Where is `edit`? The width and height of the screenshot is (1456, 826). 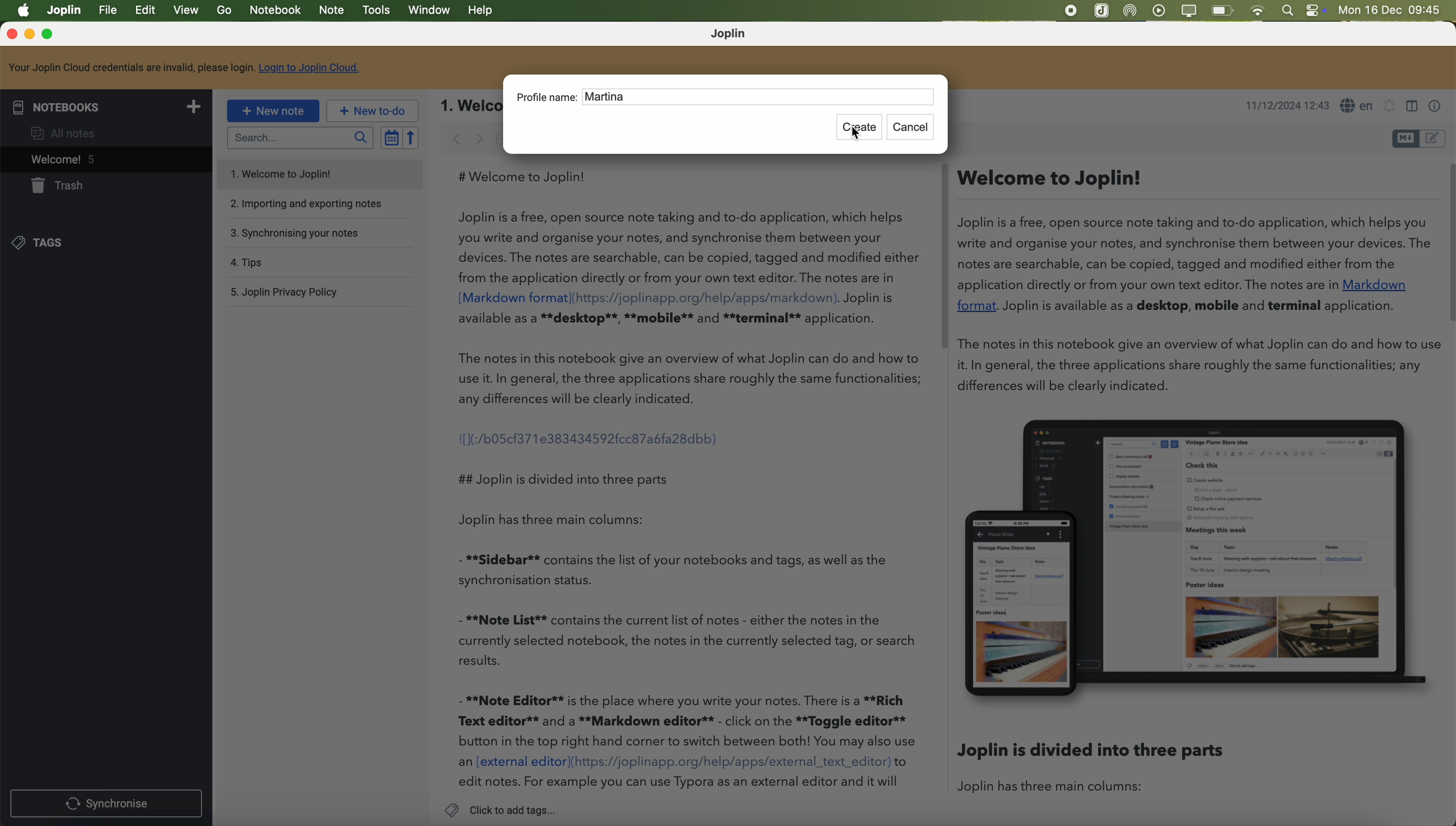
edit is located at coordinates (147, 11).